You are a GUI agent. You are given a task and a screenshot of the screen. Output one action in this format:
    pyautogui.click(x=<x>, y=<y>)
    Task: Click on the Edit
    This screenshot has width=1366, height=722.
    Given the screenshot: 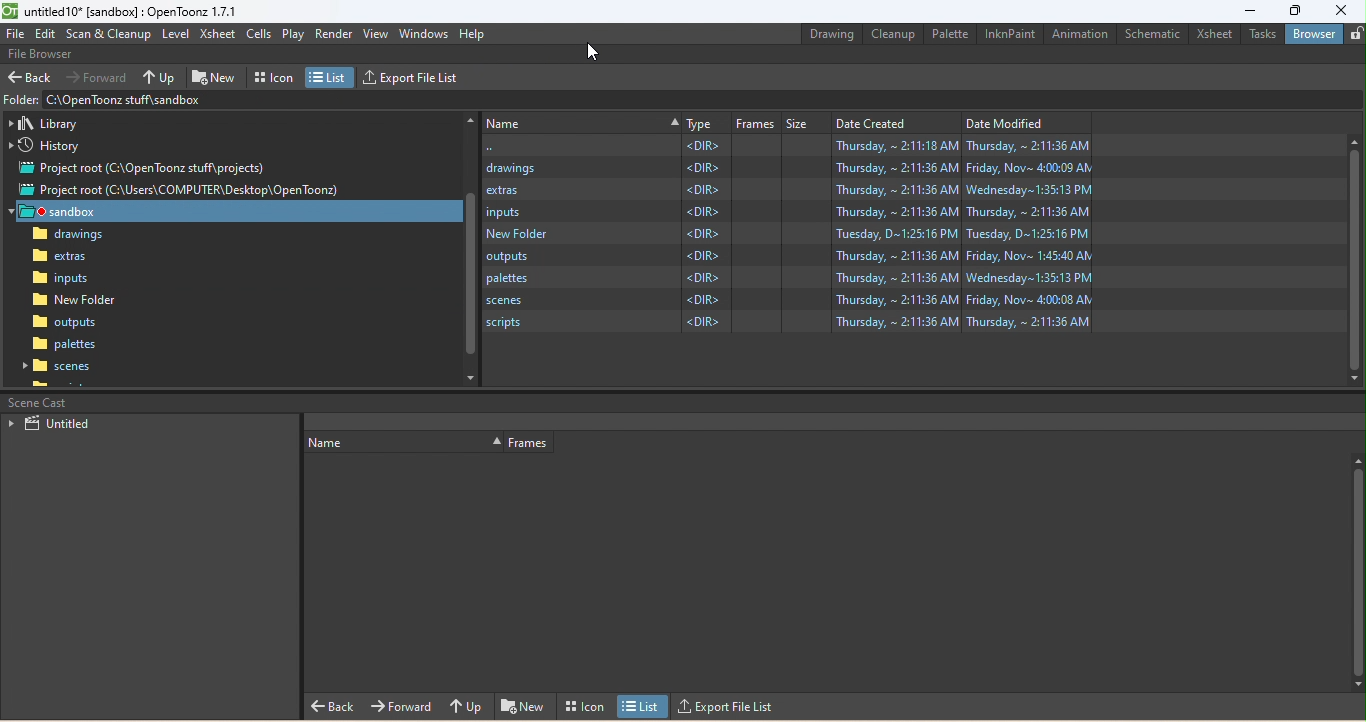 What is the action you would take?
    pyautogui.click(x=46, y=33)
    